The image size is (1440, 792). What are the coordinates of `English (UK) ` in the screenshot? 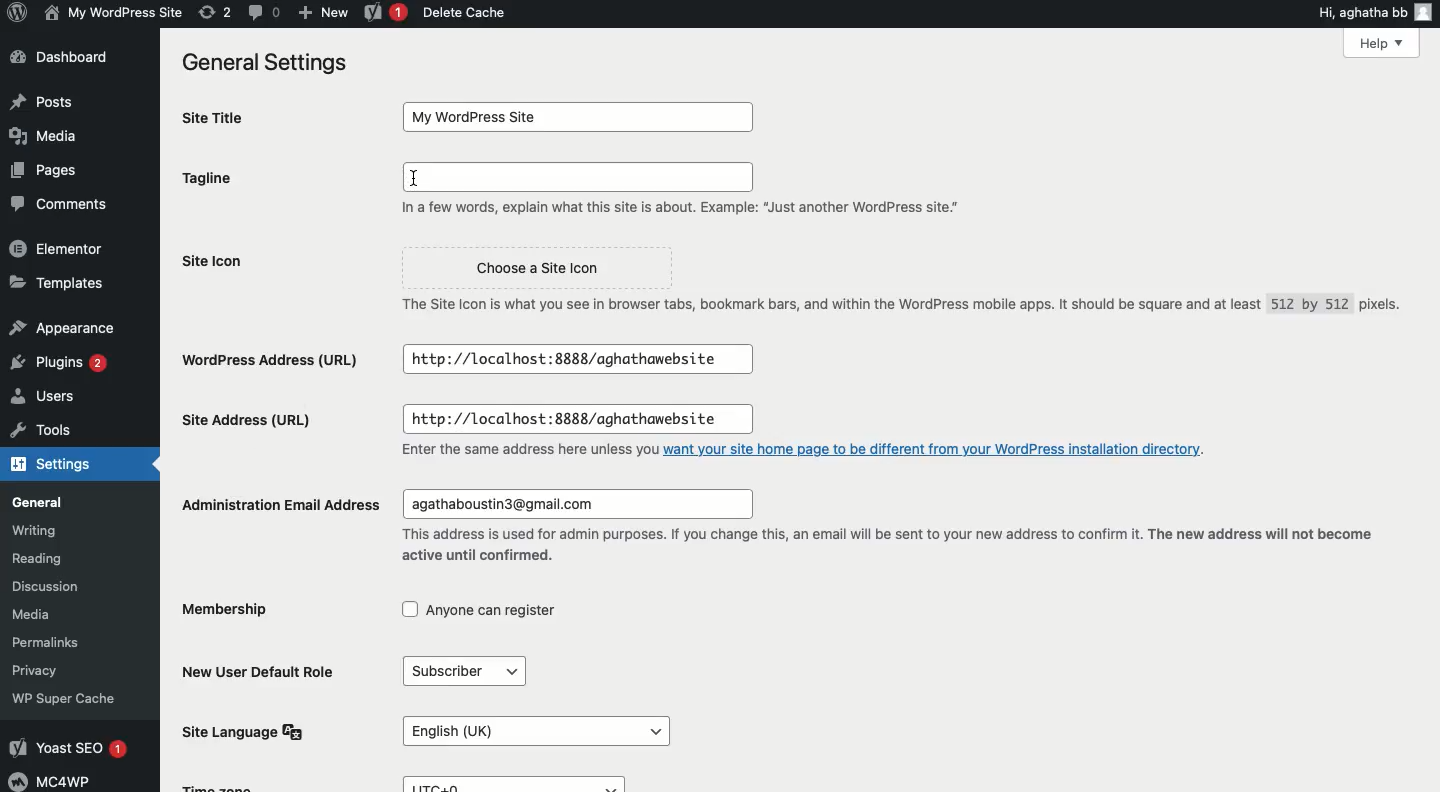 It's located at (531, 723).